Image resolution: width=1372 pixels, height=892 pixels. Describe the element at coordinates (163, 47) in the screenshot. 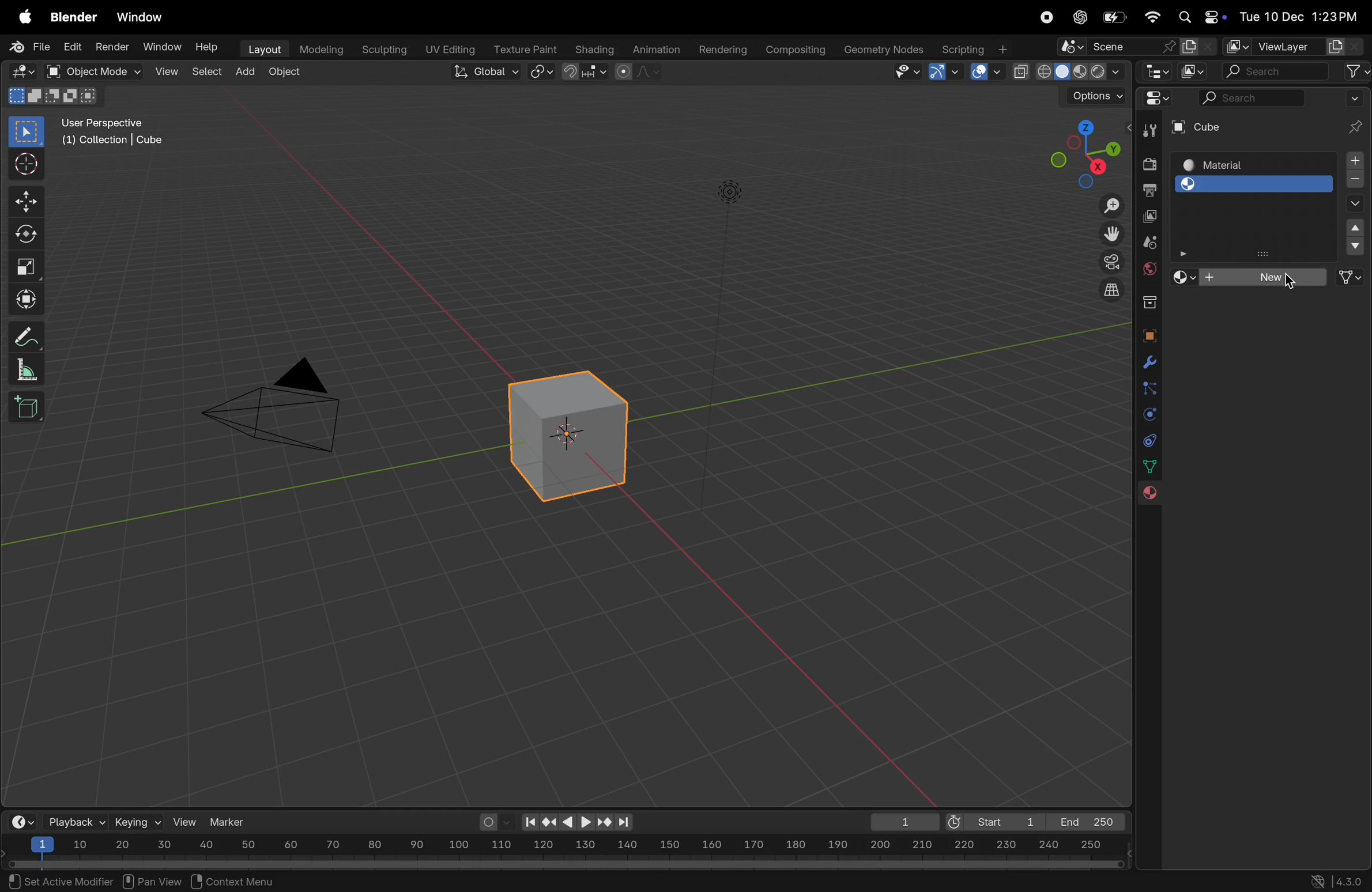

I see `Window` at that location.